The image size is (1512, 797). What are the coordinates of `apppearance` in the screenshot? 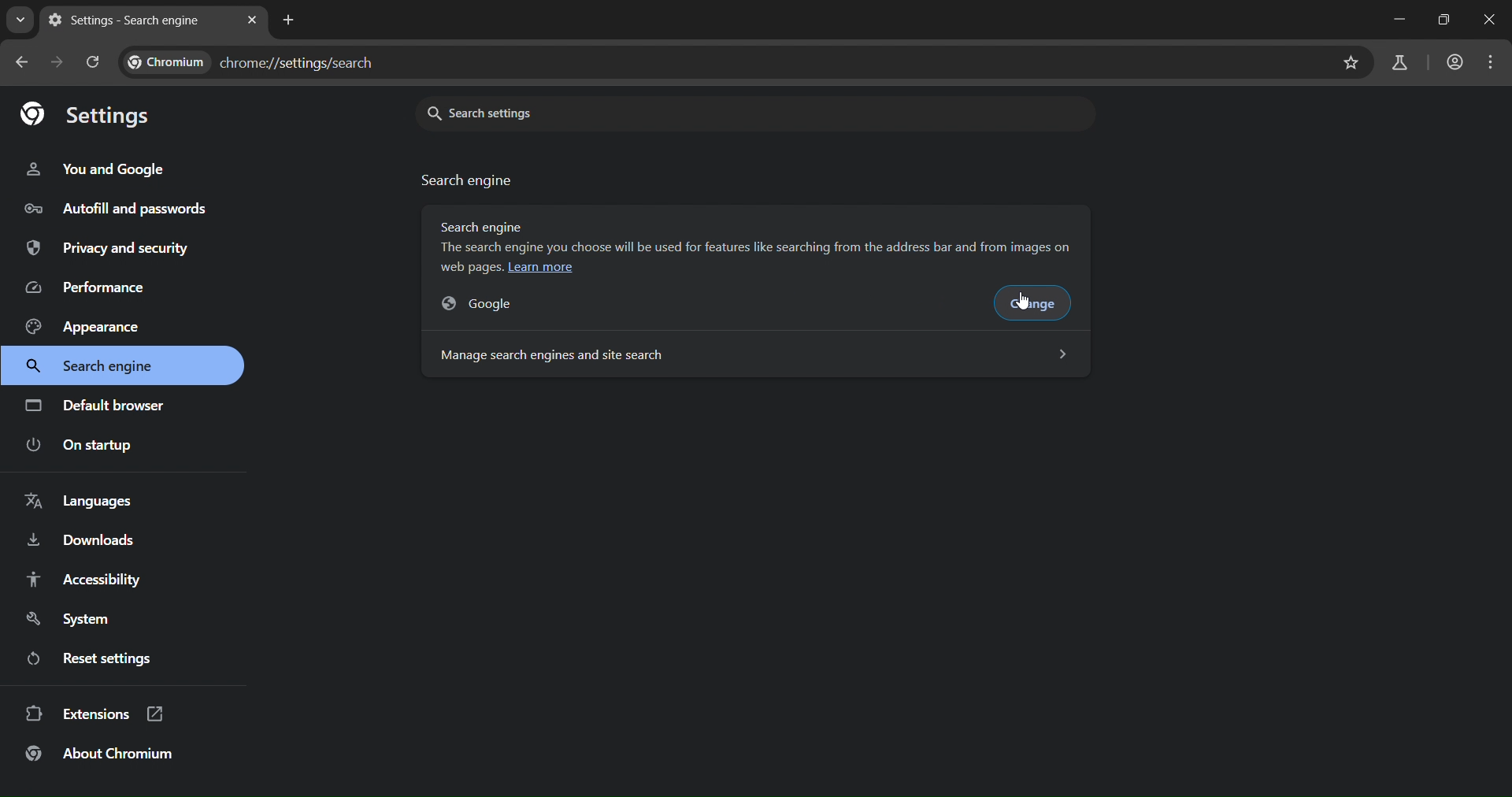 It's located at (94, 325).